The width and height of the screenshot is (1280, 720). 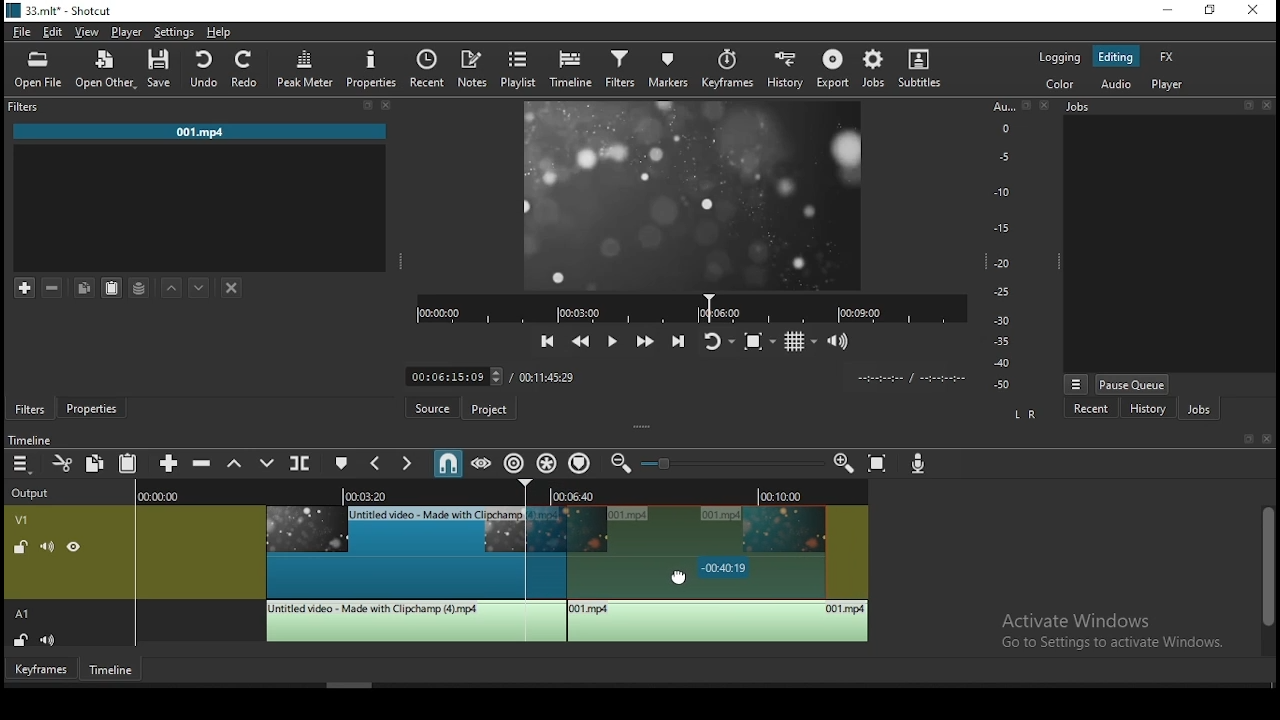 I want to click on ripple all tracks, so click(x=547, y=463).